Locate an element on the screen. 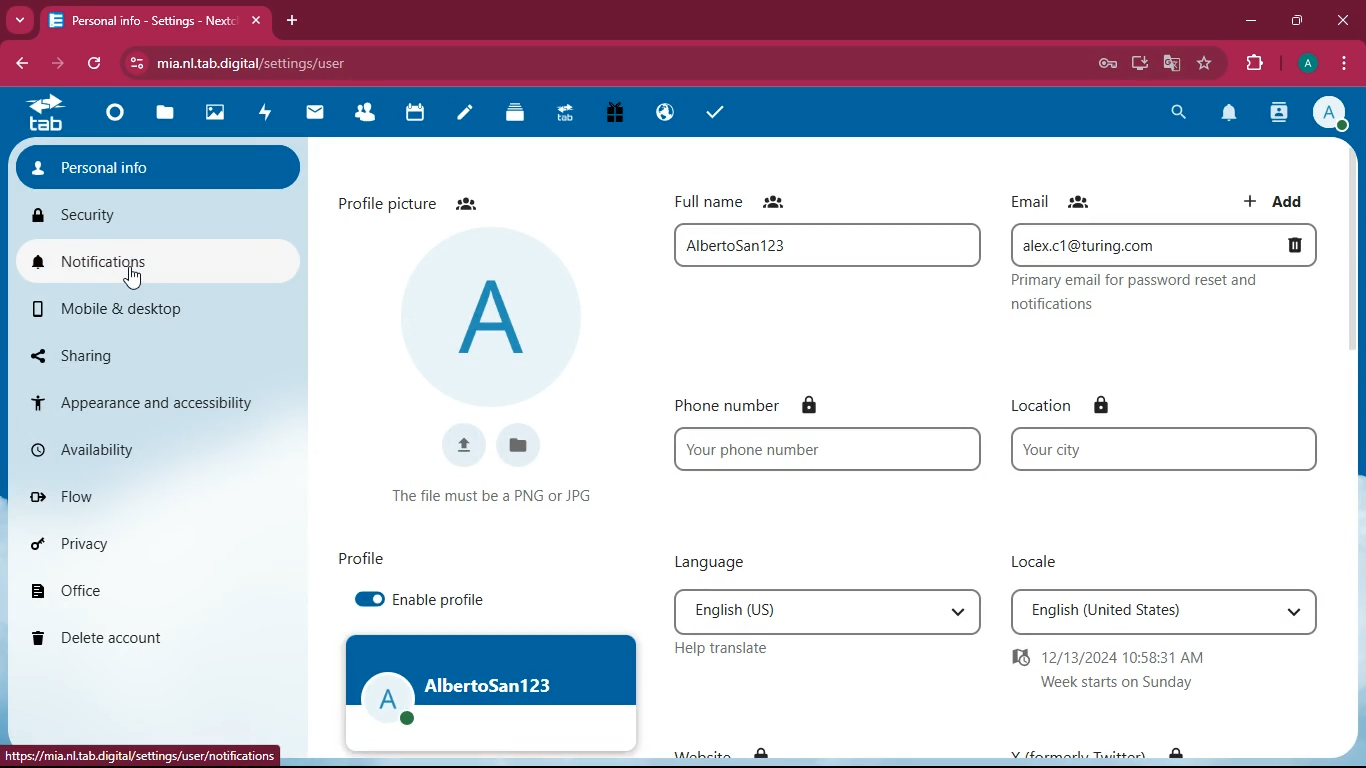 Image resolution: width=1366 pixels, height=768 pixels. friends is located at coordinates (1081, 201).